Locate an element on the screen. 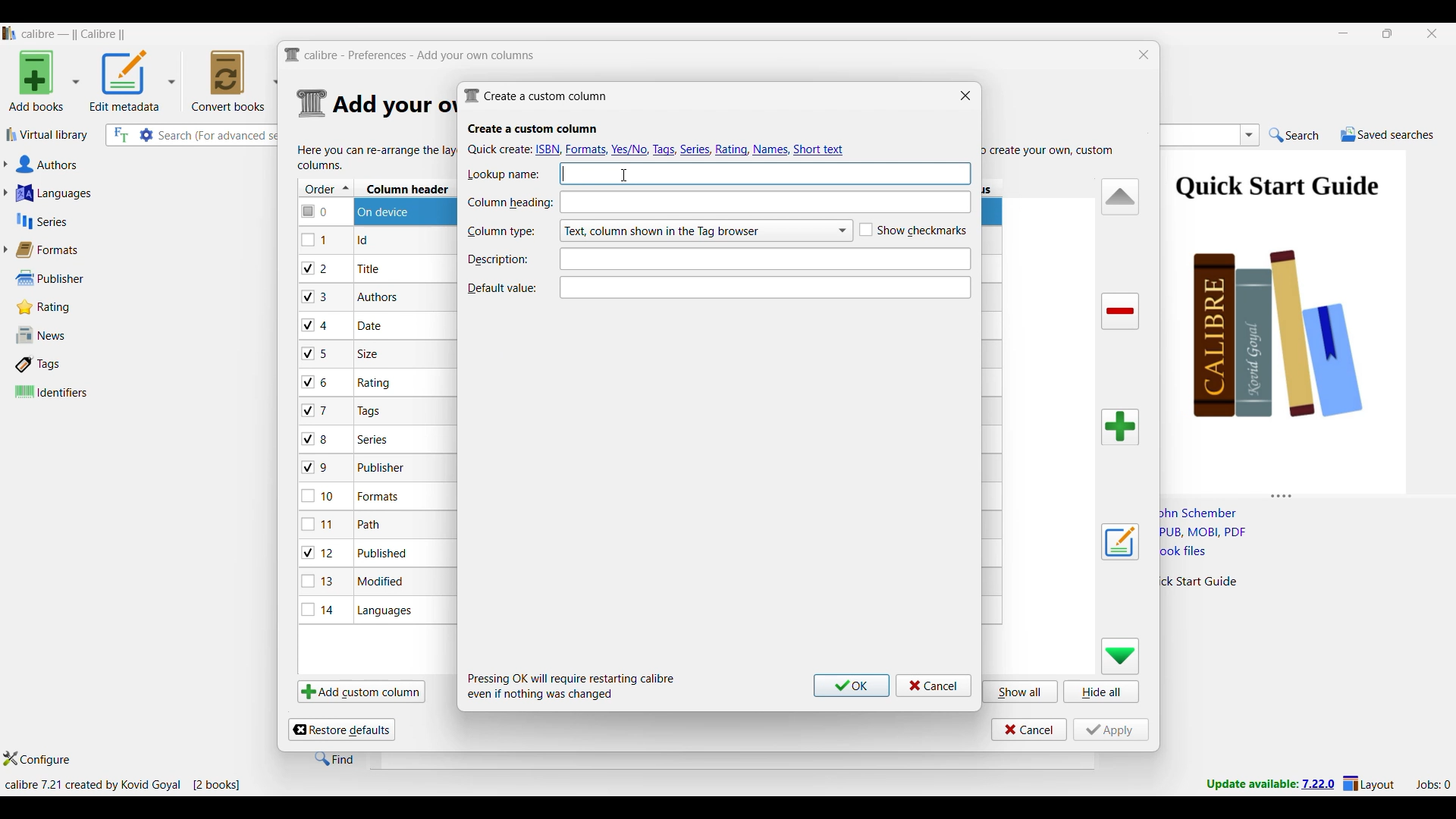 The height and width of the screenshot is (819, 1456). checkbox - 3 is located at coordinates (316, 297).